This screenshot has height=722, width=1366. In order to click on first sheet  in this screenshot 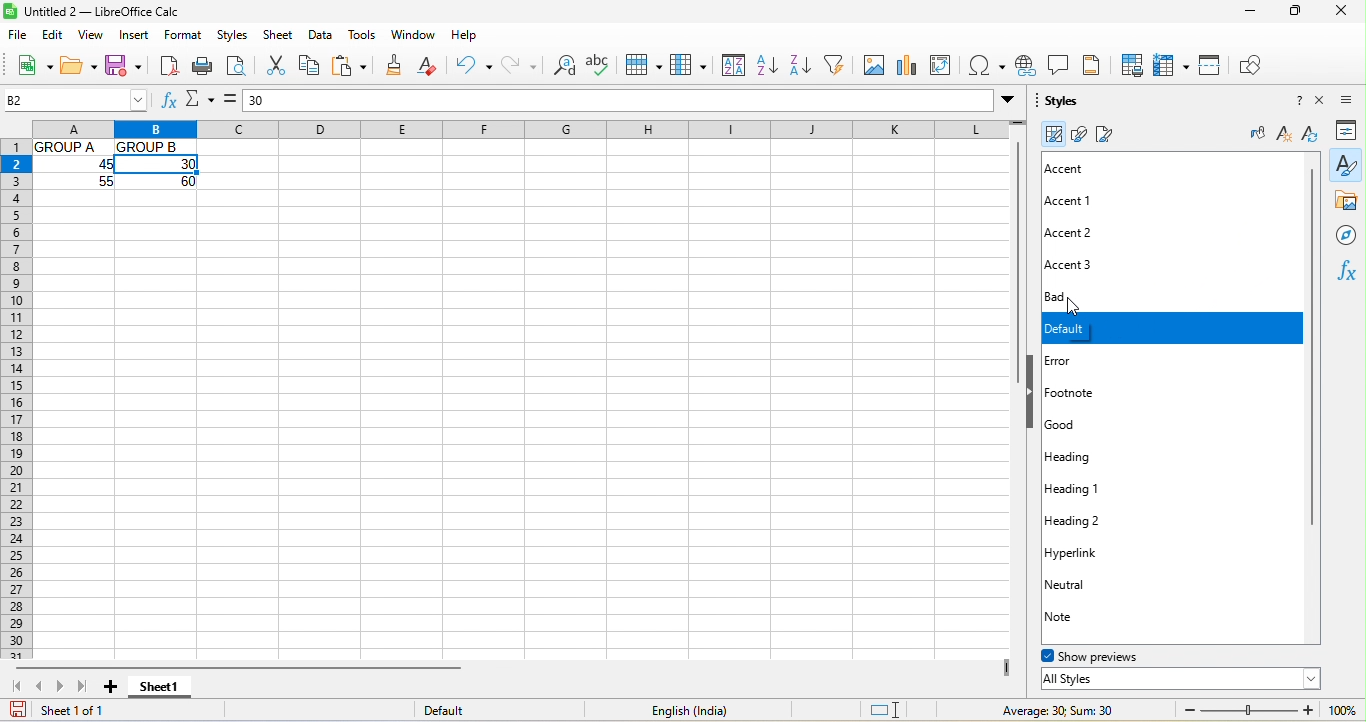, I will do `click(16, 687)`.